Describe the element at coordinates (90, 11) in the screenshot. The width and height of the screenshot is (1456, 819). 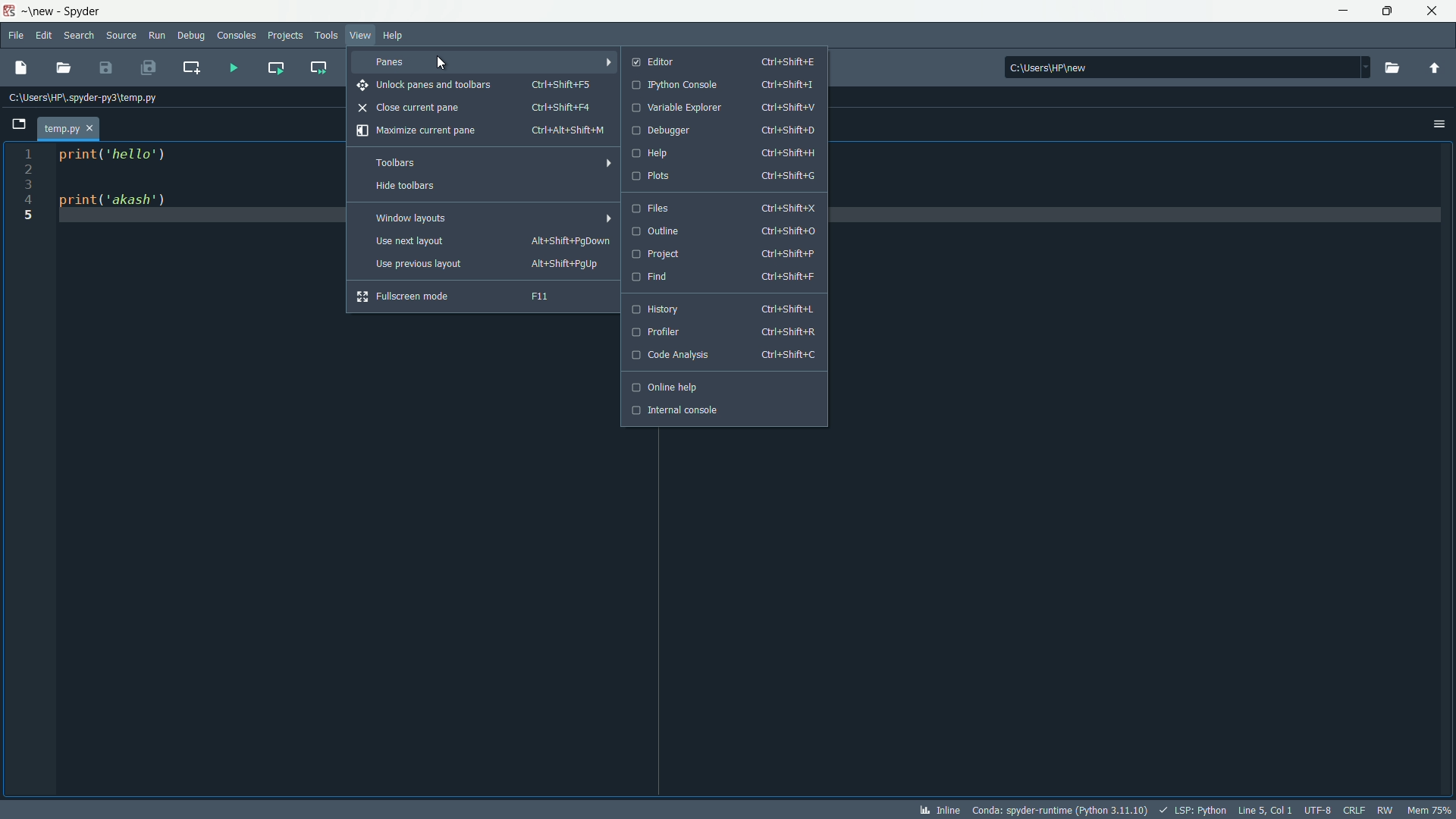
I see `app name` at that location.